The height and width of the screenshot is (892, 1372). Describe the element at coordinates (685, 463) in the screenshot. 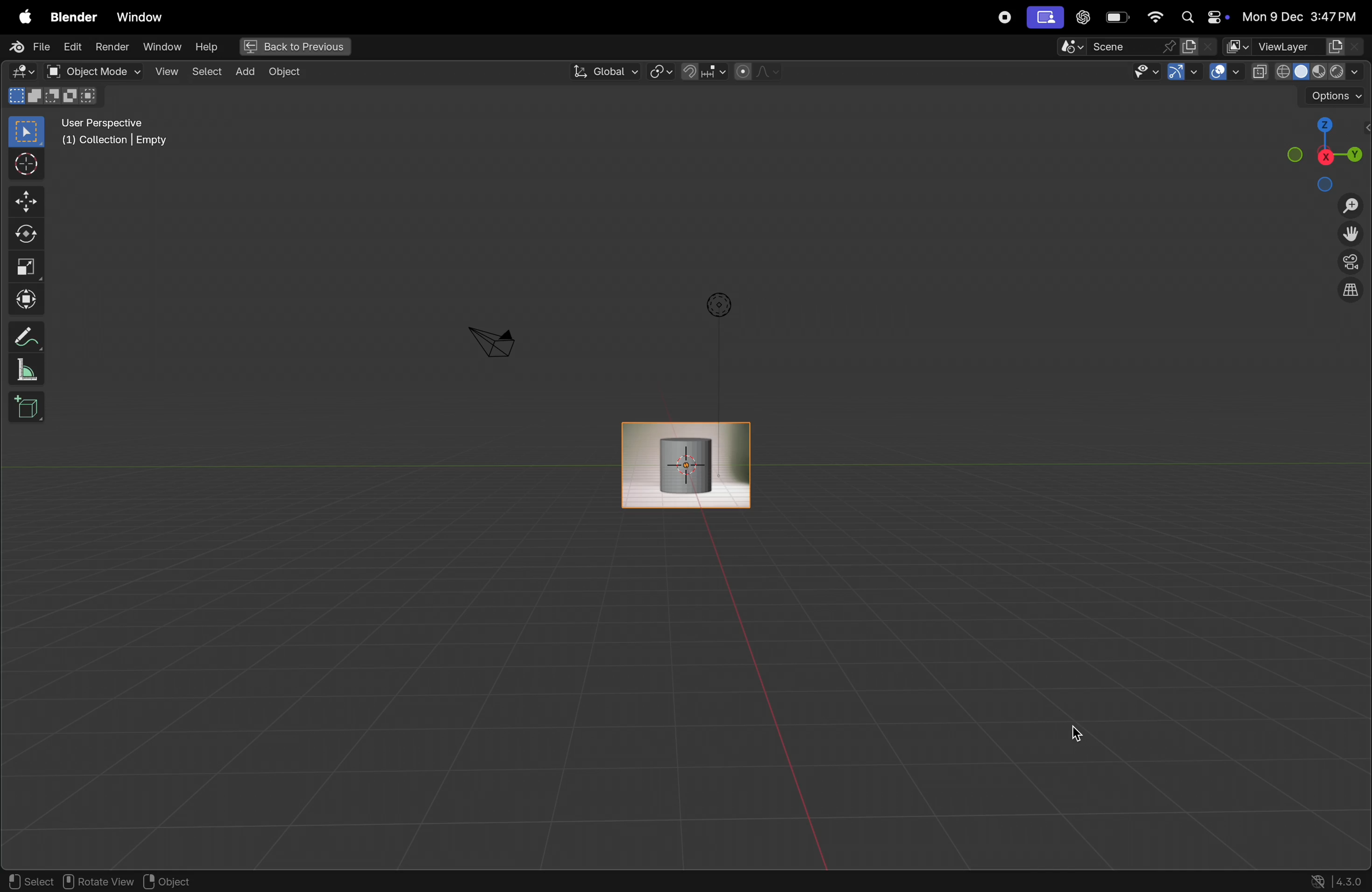

I see `cylinder with background image` at that location.